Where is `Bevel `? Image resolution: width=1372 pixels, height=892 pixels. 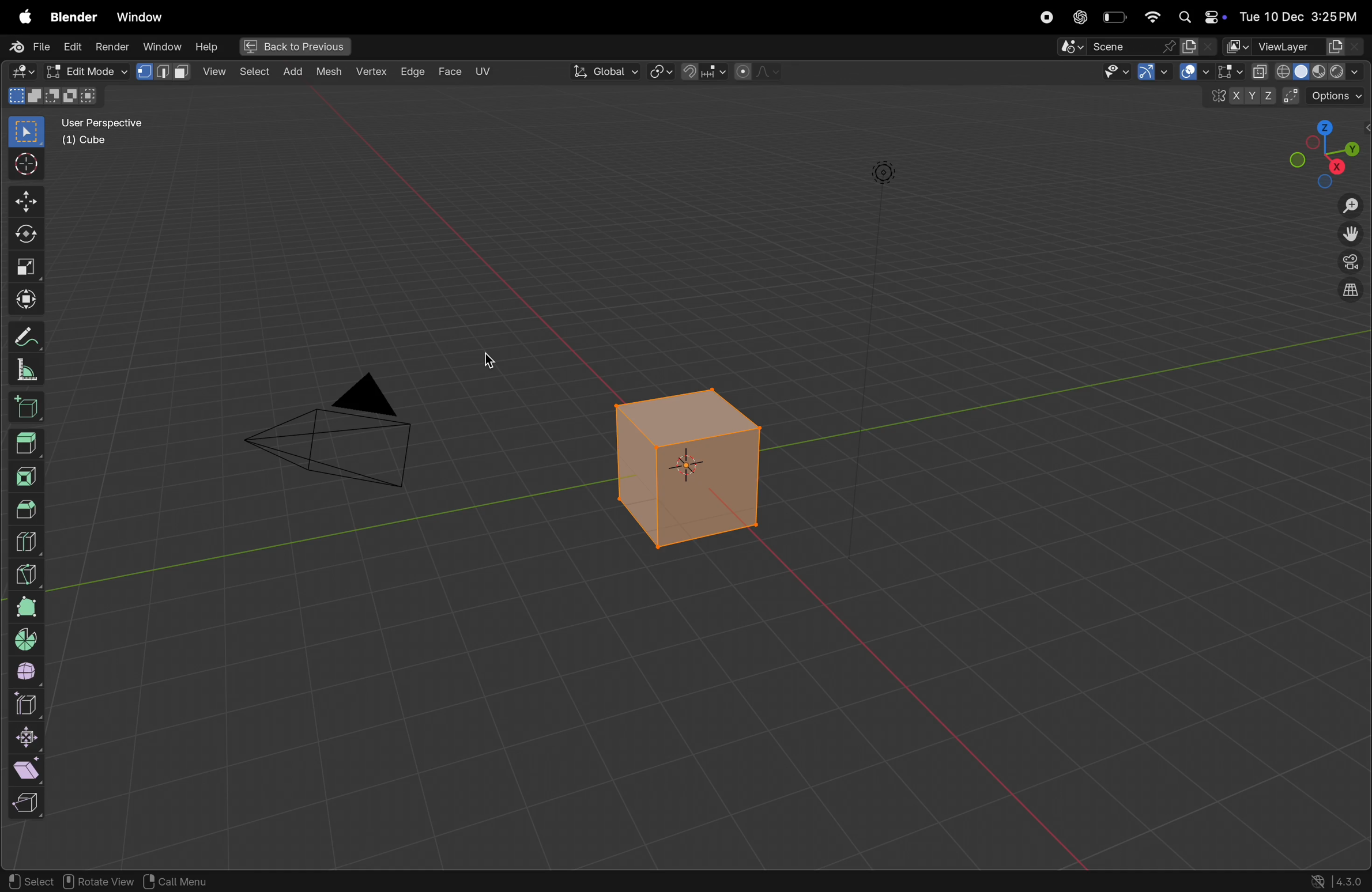
Bevel  is located at coordinates (26, 508).